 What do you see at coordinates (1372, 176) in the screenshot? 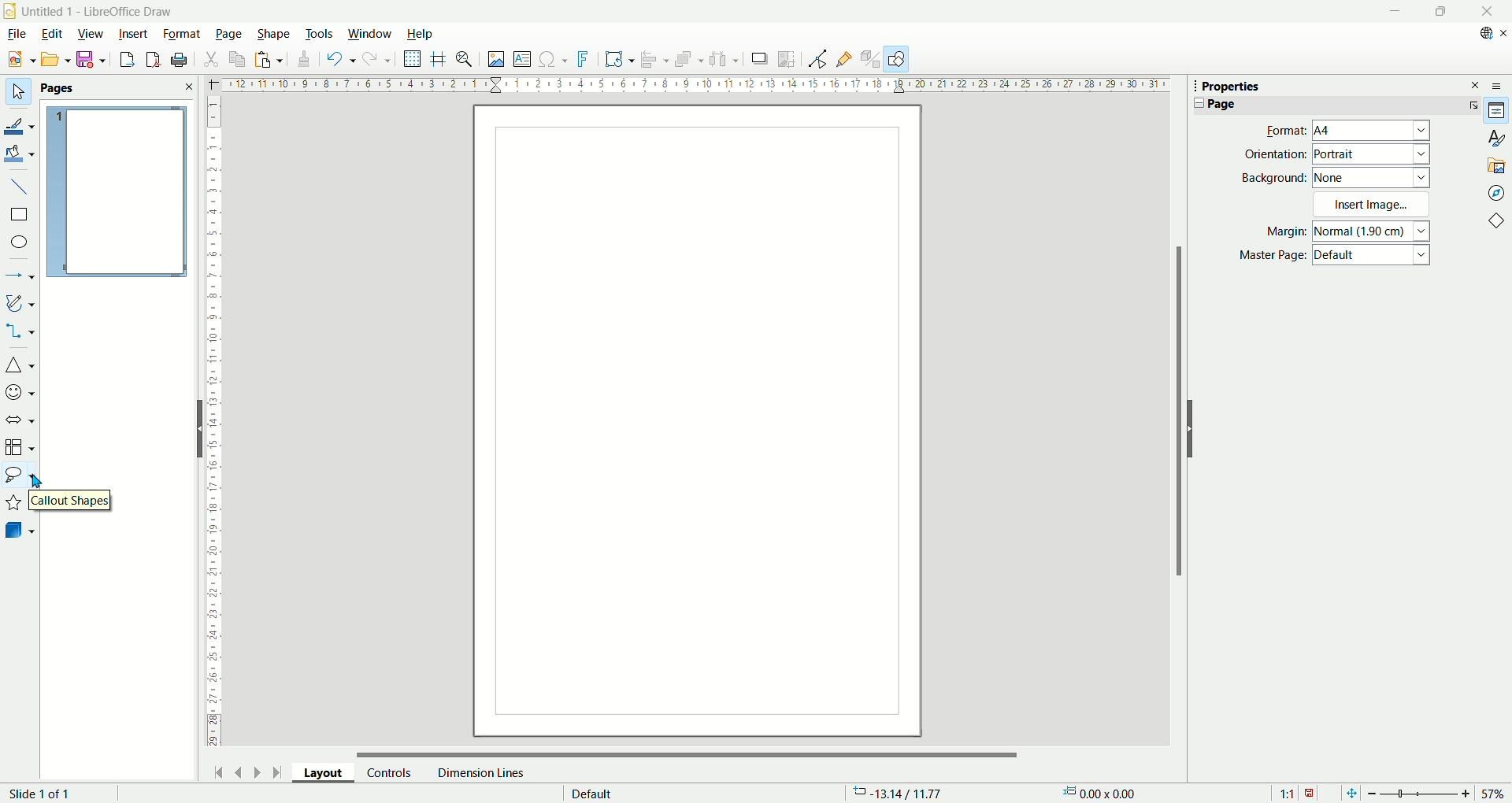
I see `None` at bounding box center [1372, 176].